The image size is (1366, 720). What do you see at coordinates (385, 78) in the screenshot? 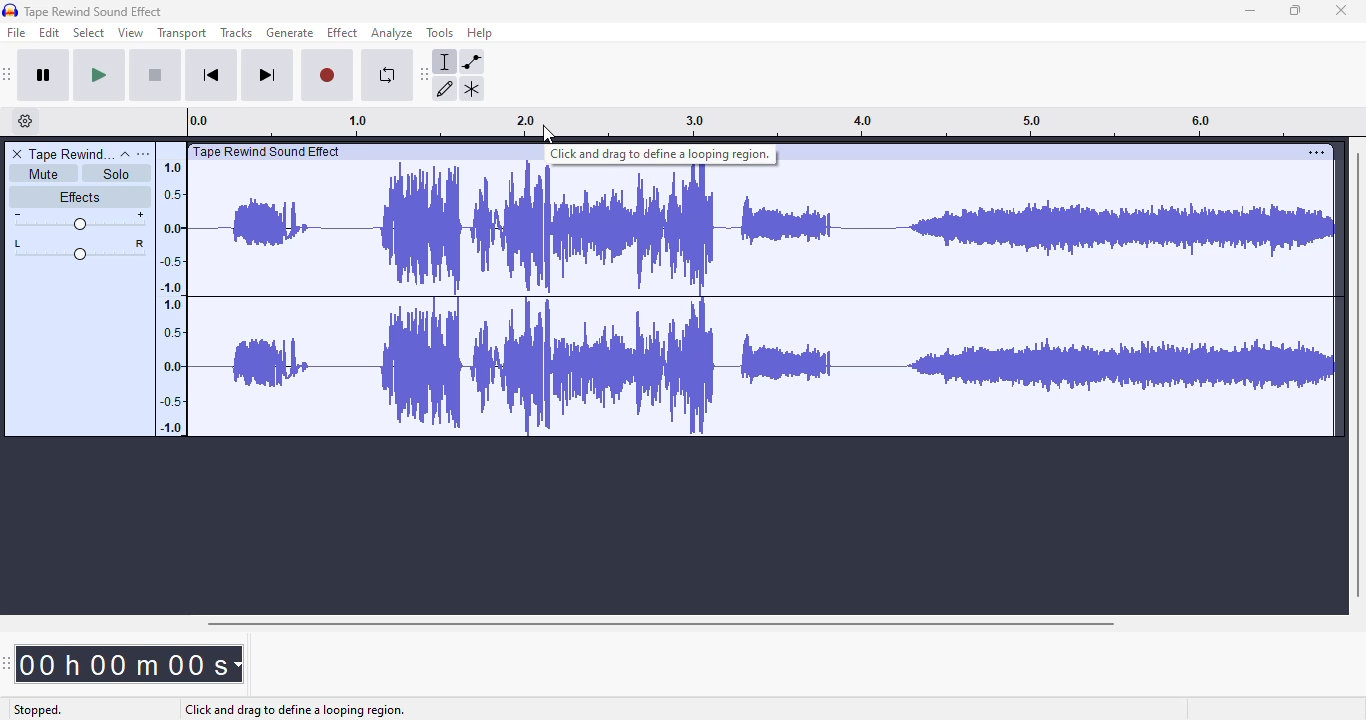
I see `enable looping` at bounding box center [385, 78].